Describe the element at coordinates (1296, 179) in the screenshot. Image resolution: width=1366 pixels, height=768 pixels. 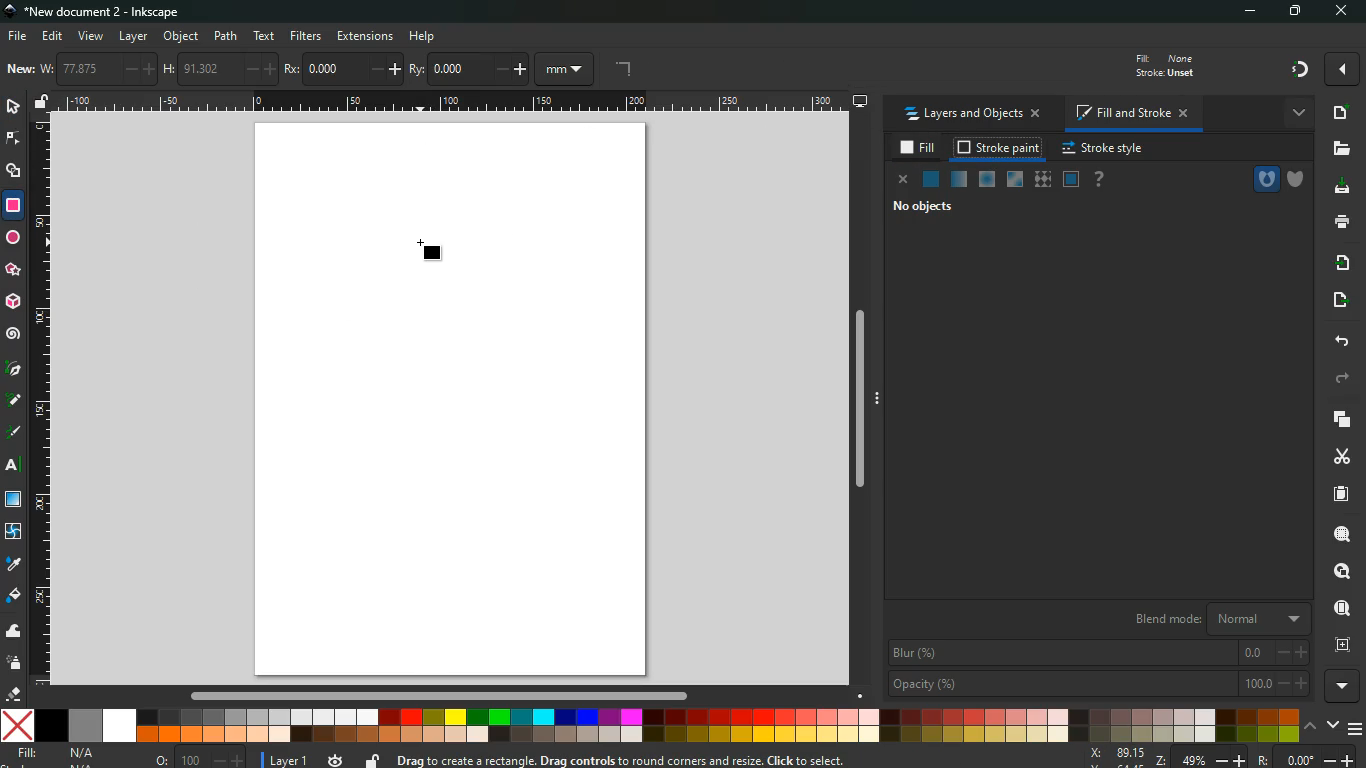
I see `shield` at that location.